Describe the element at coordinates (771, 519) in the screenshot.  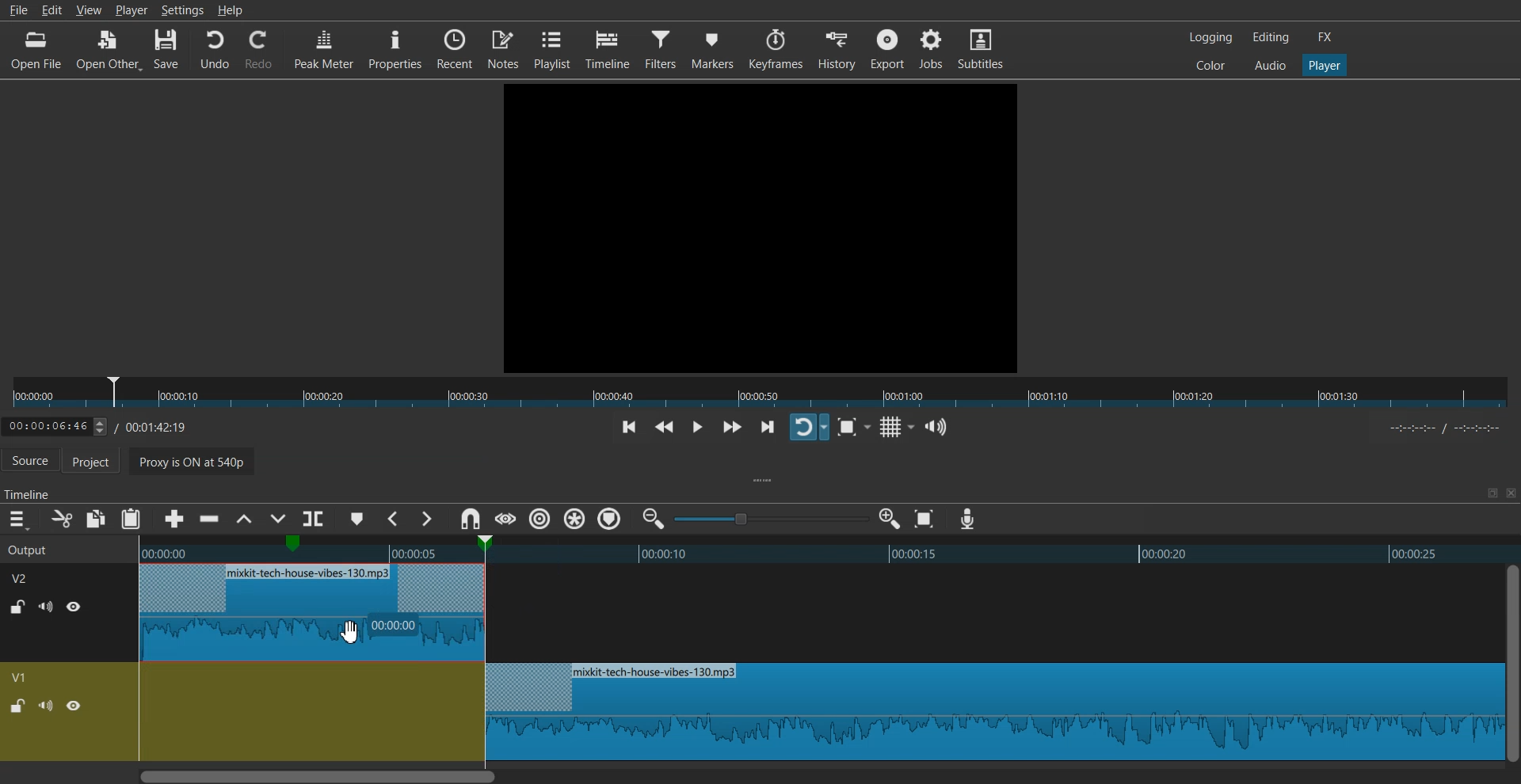
I see `Zoom adjuster toggle` at that location.